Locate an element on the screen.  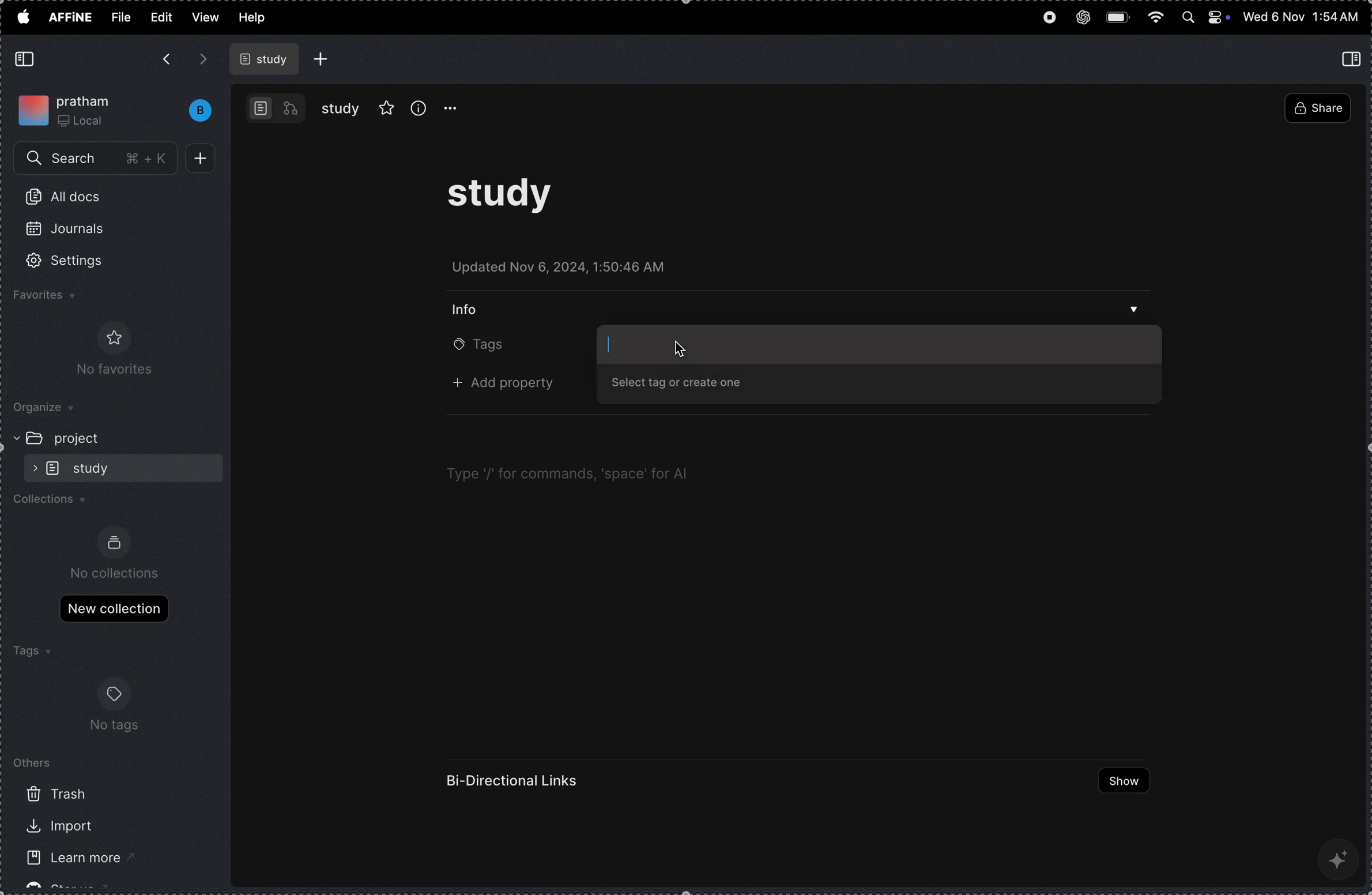
import is located at coordinates (55, 826).